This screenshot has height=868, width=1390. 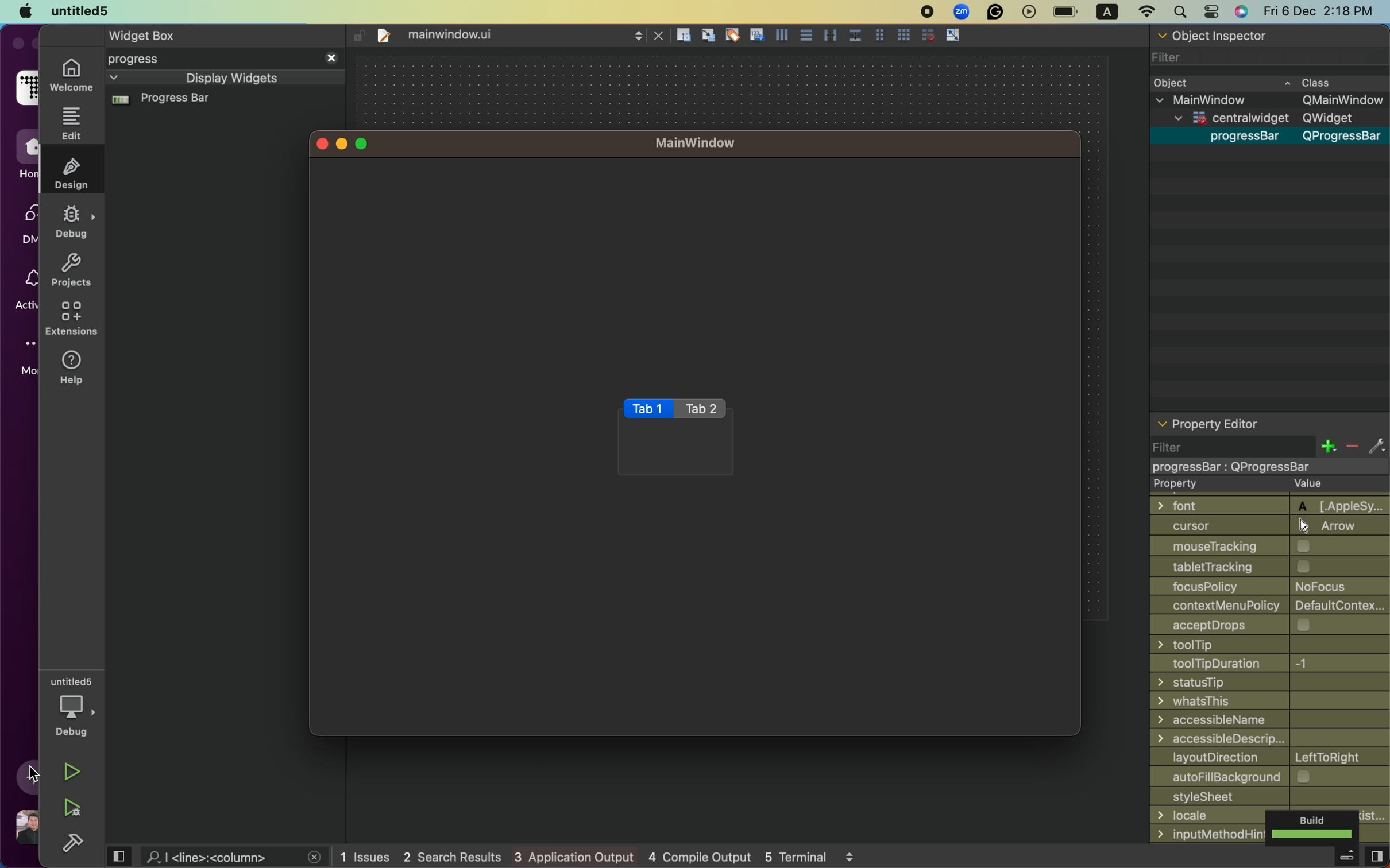 I want to click on tab1, so click(x=648, y=409).